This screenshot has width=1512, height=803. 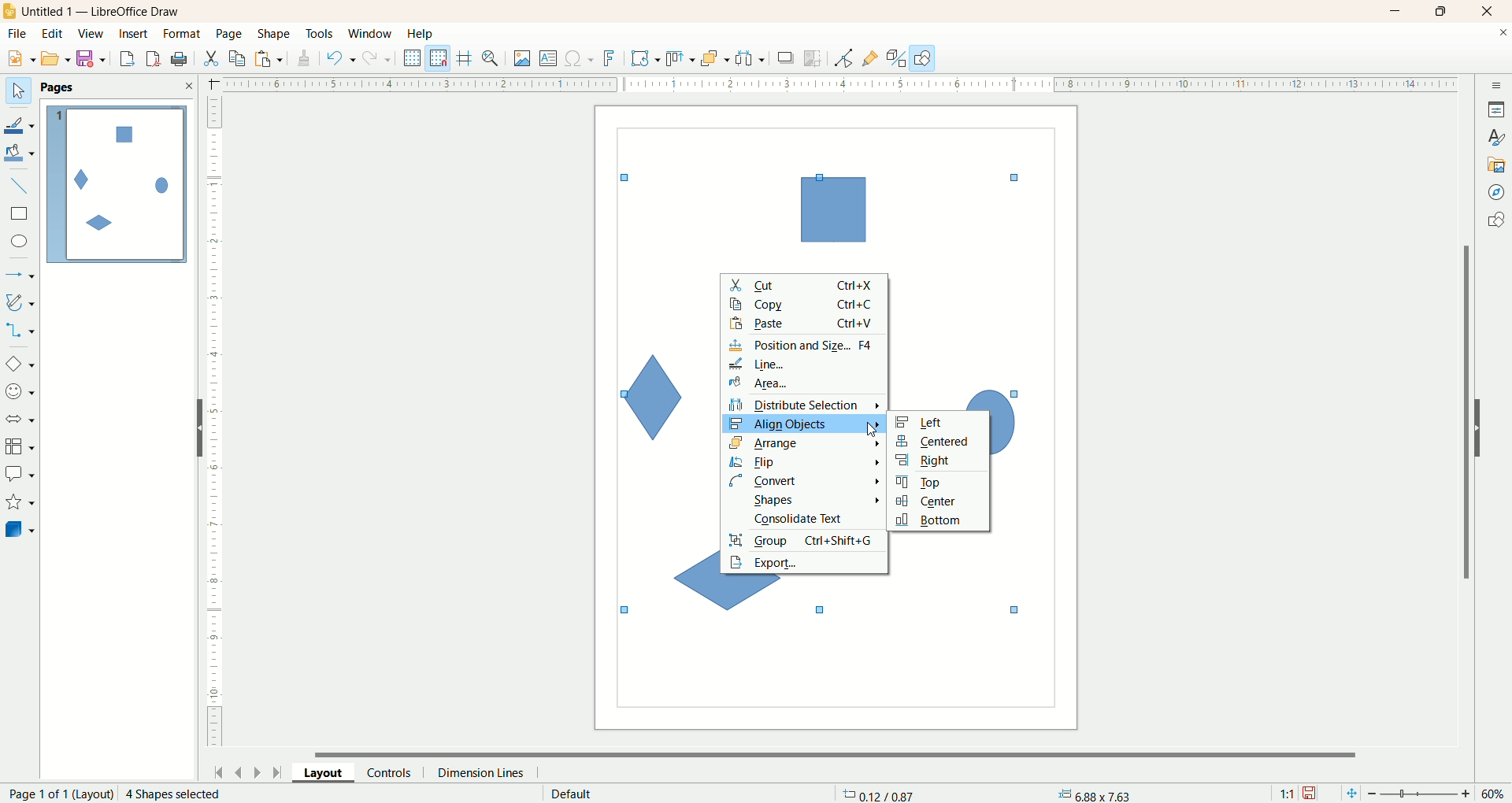 I want to click on consolidate, so click(x=805, y=517).